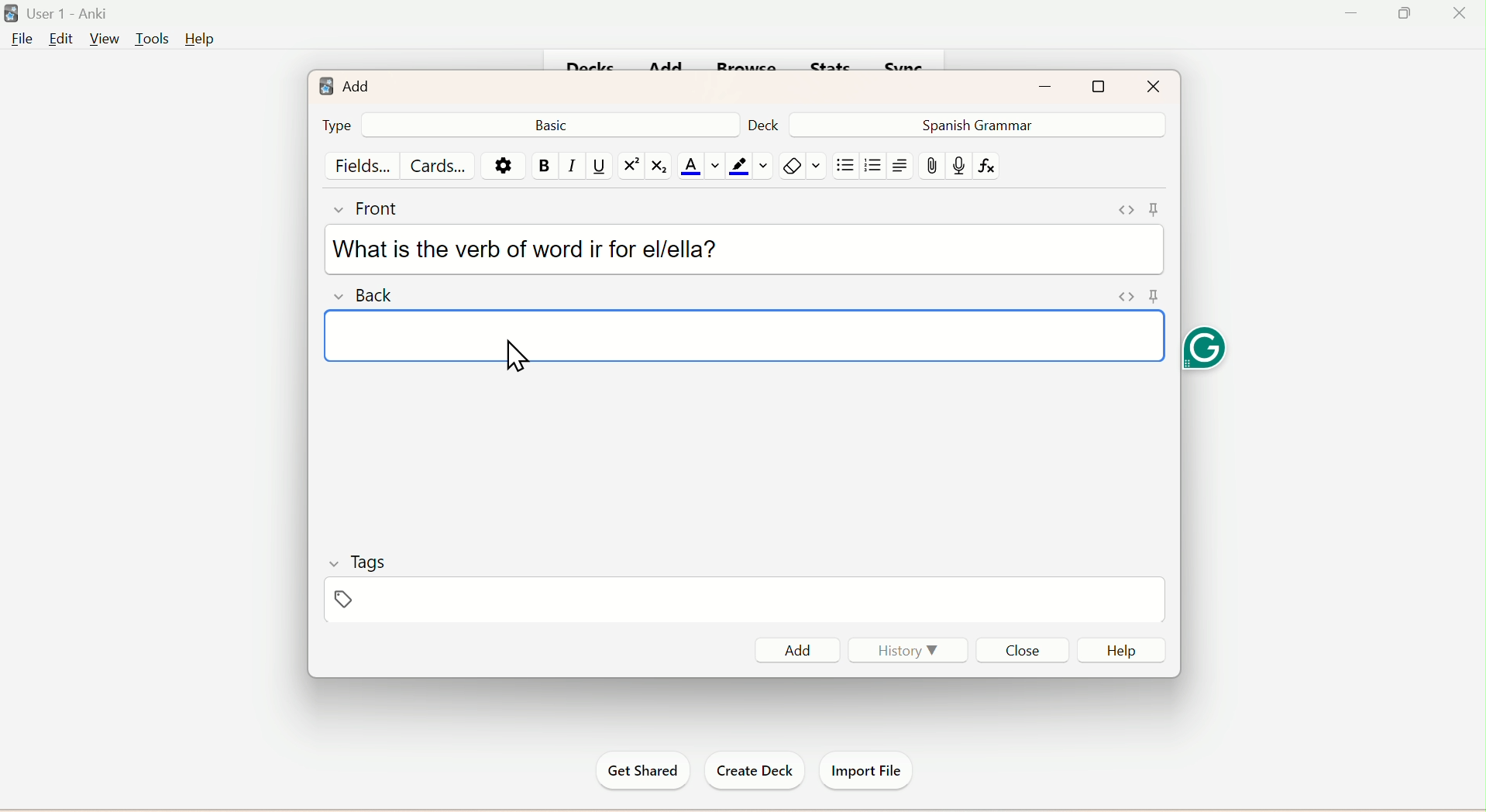 The image size is (1486, 812). I want to click on Deck, so click(764, 124).